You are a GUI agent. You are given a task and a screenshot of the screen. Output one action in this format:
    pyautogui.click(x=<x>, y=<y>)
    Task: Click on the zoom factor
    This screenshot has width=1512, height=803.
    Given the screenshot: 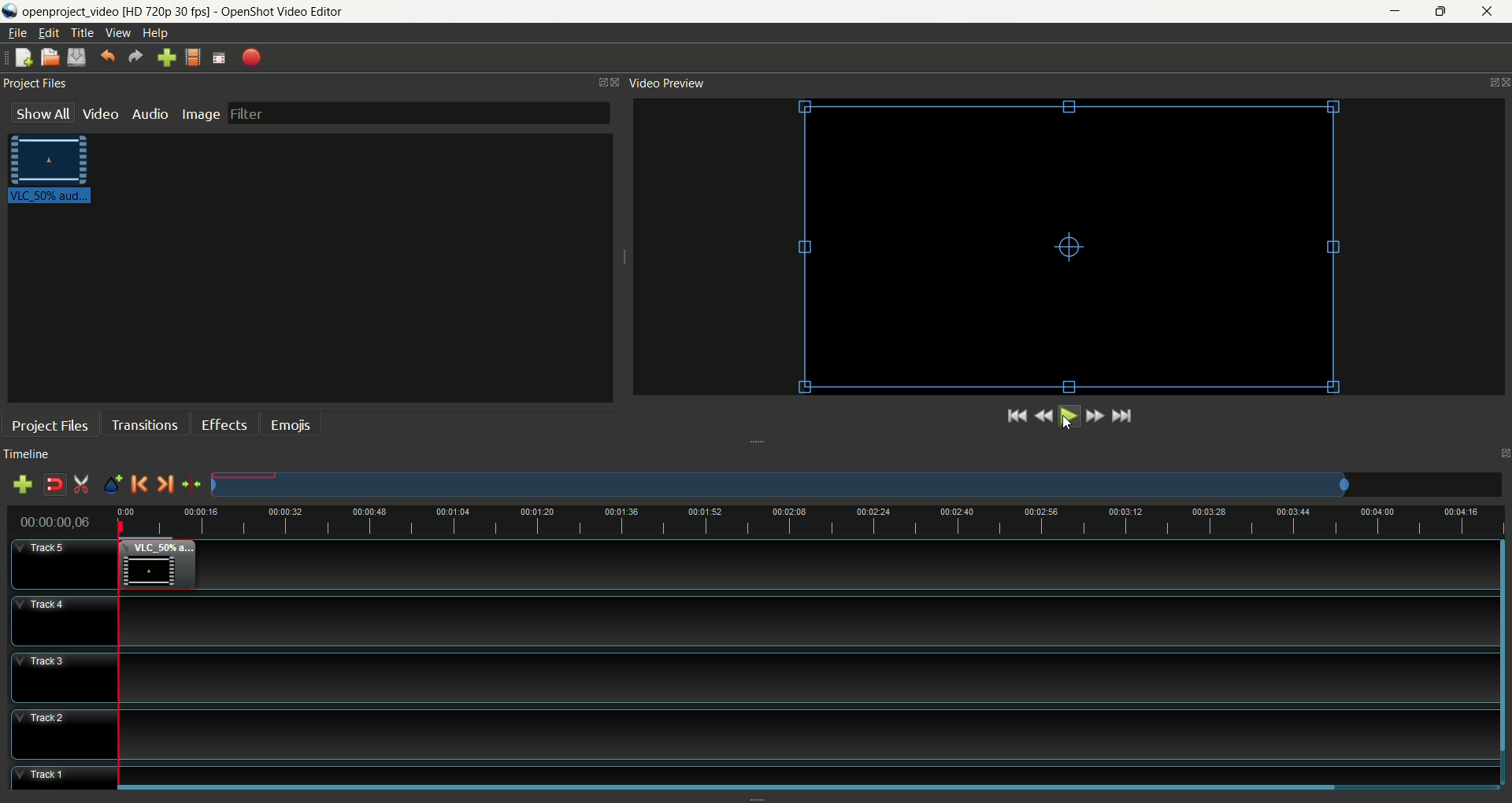 What is the action you would take?
    pyautogui.click(x=820, y=525)
    